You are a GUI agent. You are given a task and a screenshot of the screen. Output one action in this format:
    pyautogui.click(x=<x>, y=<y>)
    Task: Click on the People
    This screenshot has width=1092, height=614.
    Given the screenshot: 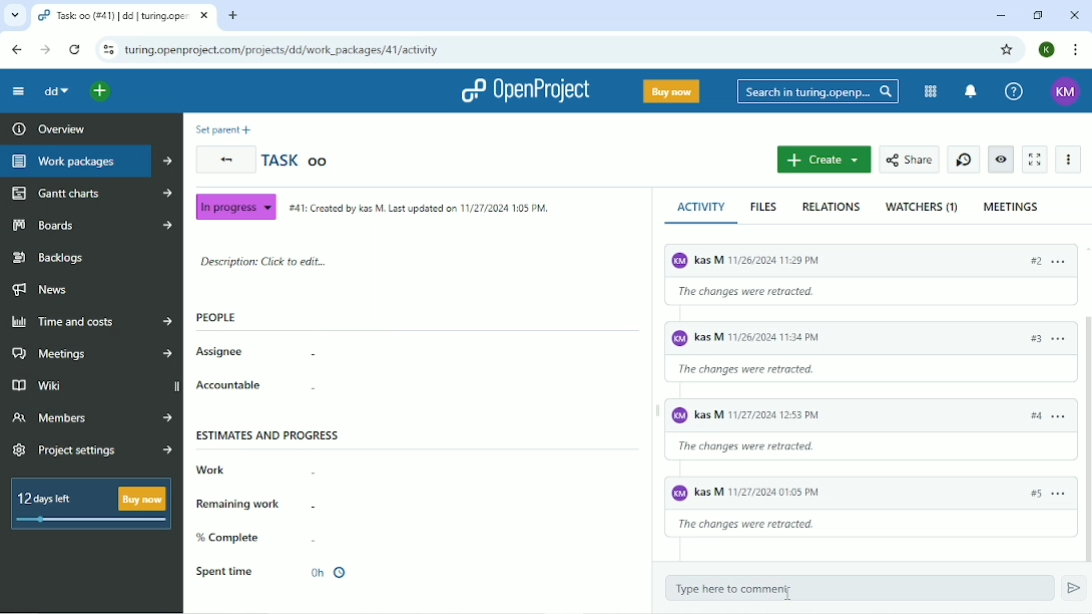 What is the action you would take?
    pyautogui.click(x=216, y=317)
    